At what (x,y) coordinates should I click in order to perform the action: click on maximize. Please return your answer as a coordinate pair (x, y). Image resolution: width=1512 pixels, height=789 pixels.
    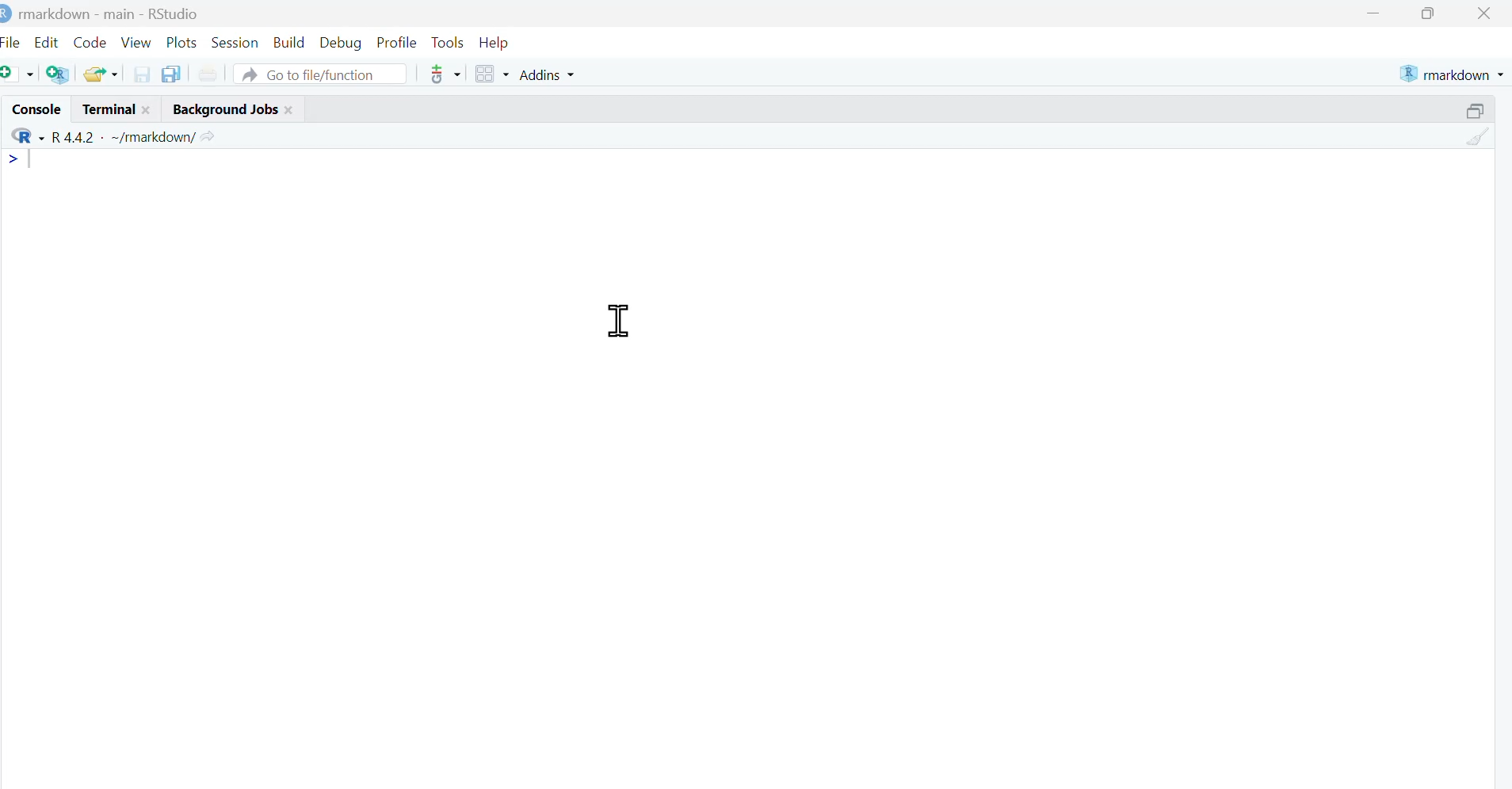
    Looking at the image, I should click on (1434, 13).